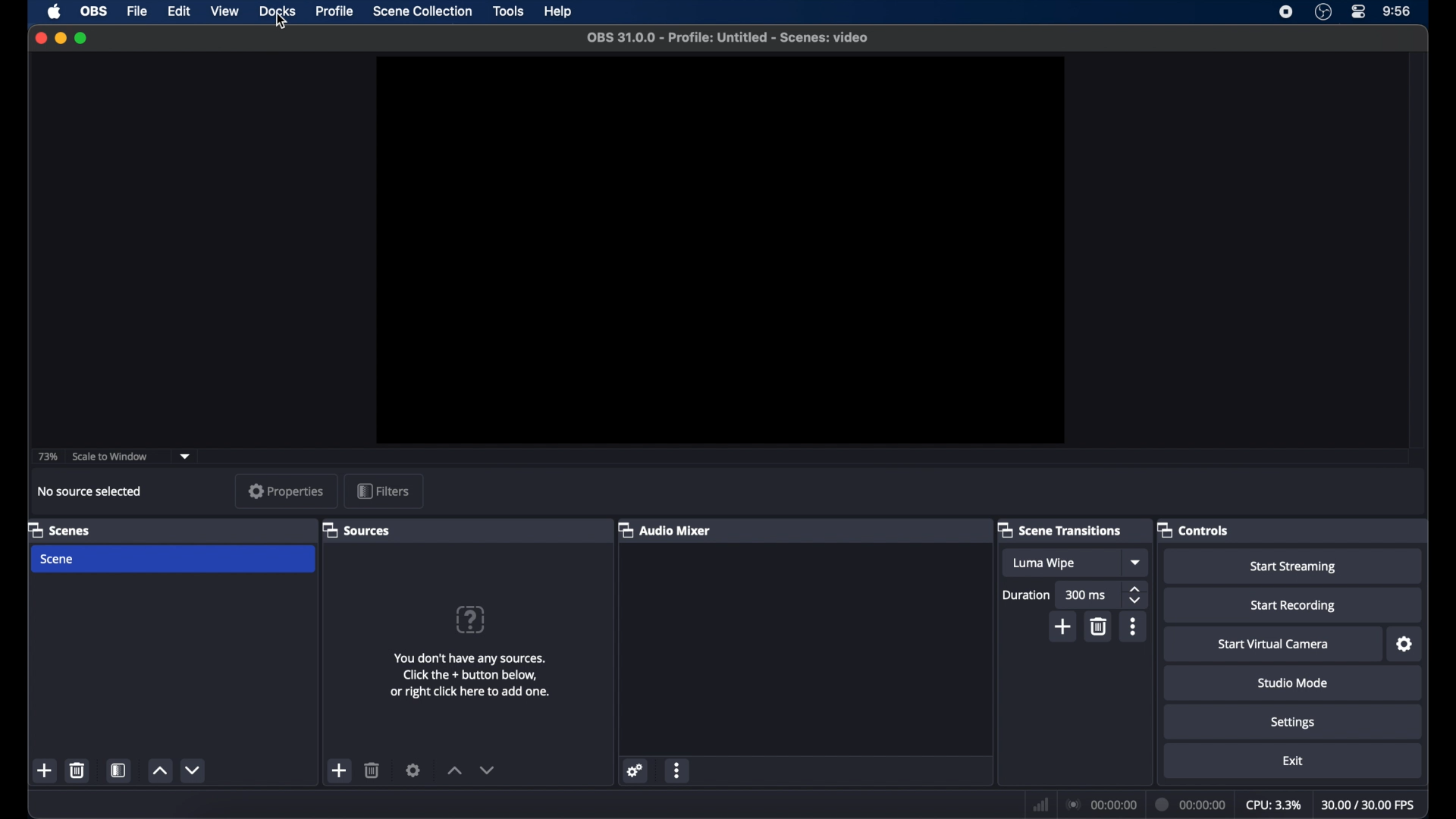  I want to click on 300 ms, so click(1087, 595).